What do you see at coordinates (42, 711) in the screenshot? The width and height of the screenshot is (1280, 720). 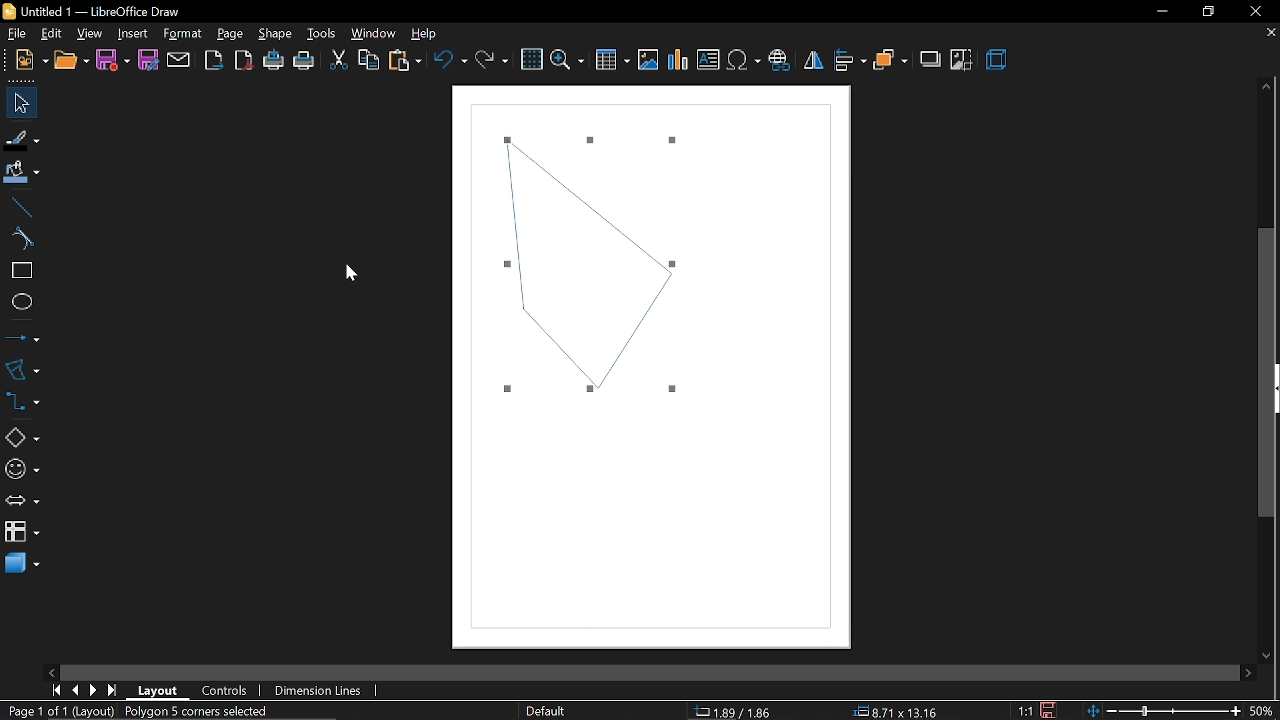 I see `current page` at bounding box center [42, 711].